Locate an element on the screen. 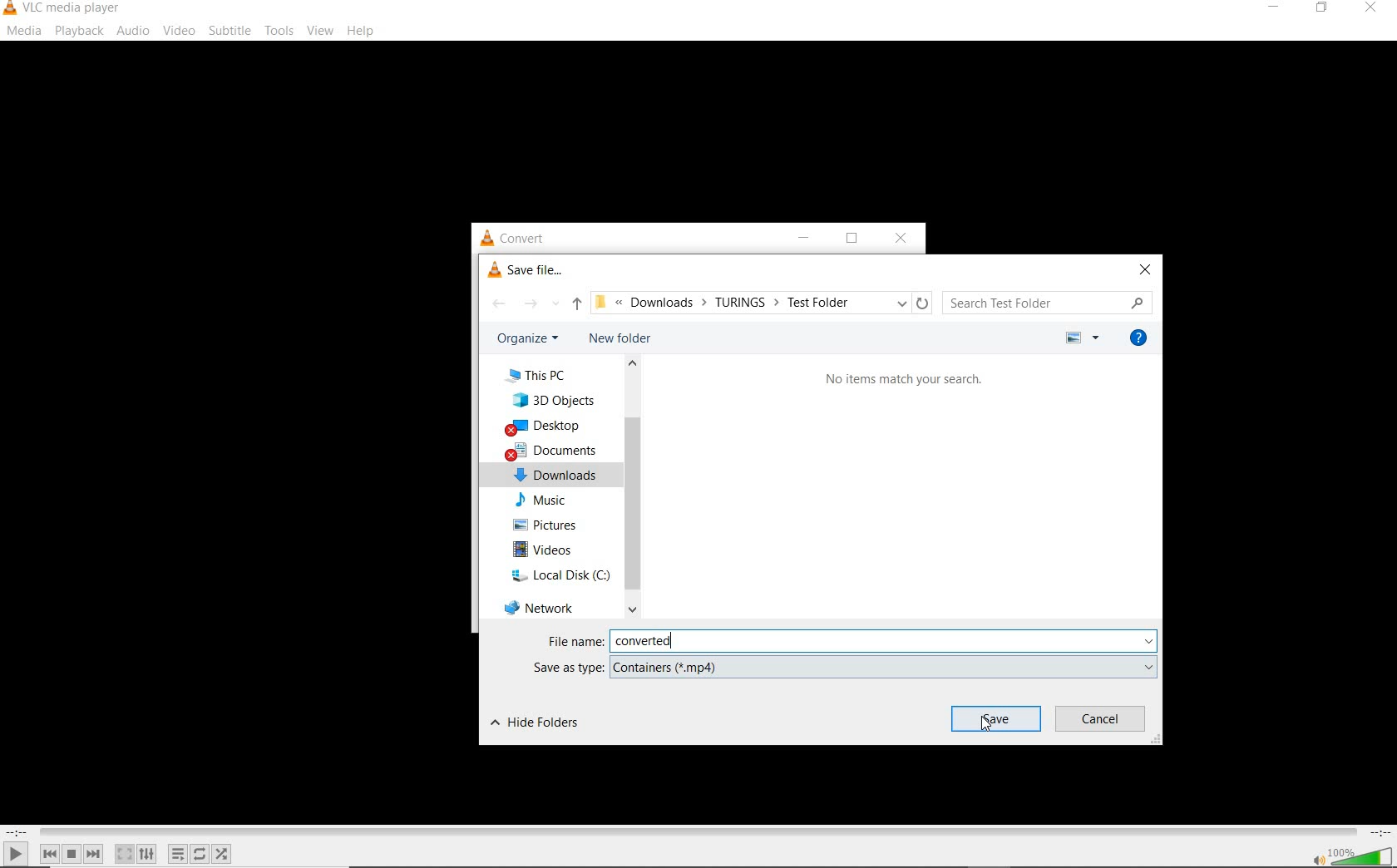 This screenshot has width=1397, height=868. video is located at coordinates (179, 31).